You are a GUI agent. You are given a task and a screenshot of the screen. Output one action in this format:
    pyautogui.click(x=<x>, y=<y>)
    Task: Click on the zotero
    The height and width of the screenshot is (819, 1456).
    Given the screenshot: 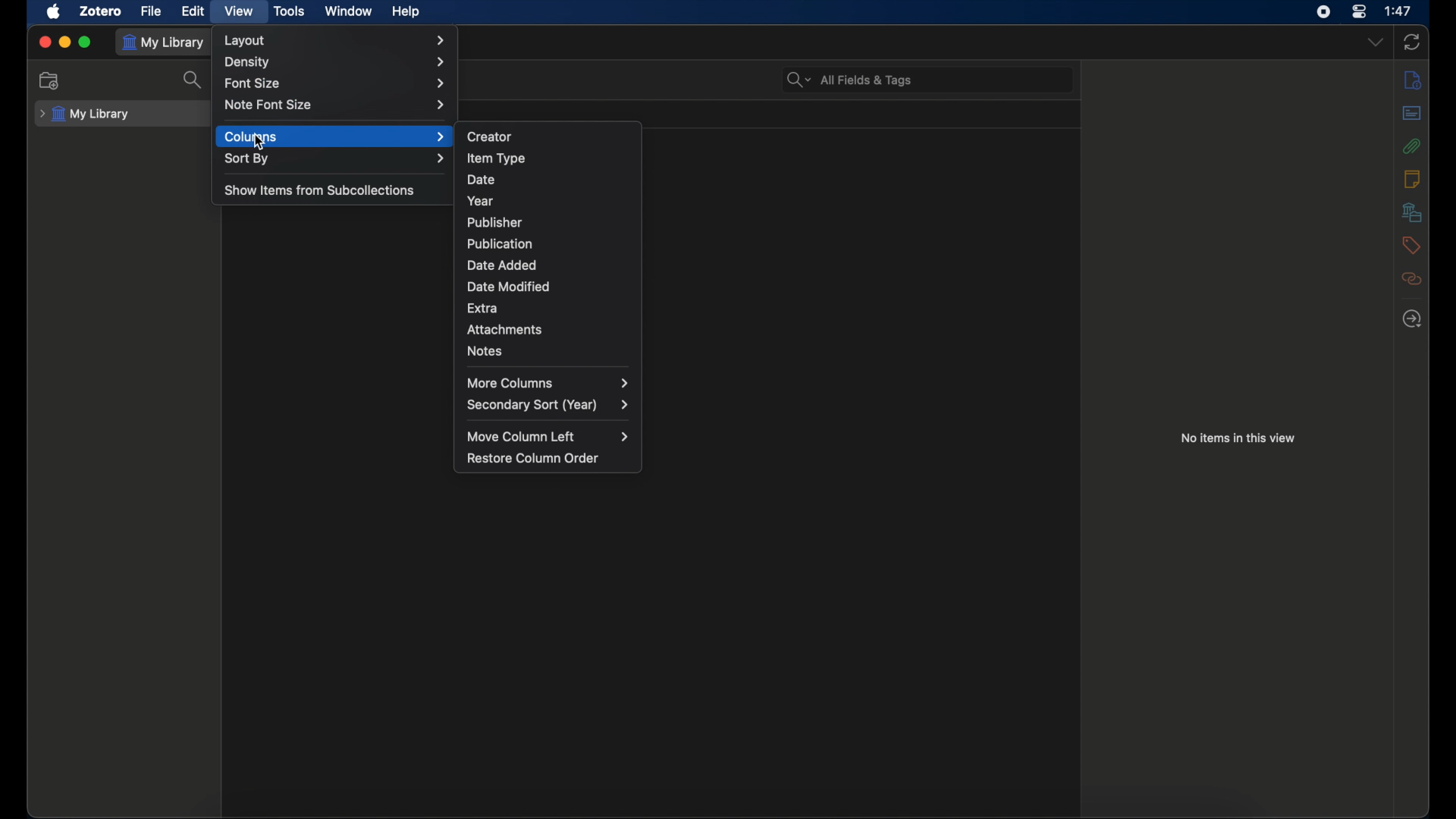 What is the action you would take?
    pyautogui.click(x=99, y=11)
    